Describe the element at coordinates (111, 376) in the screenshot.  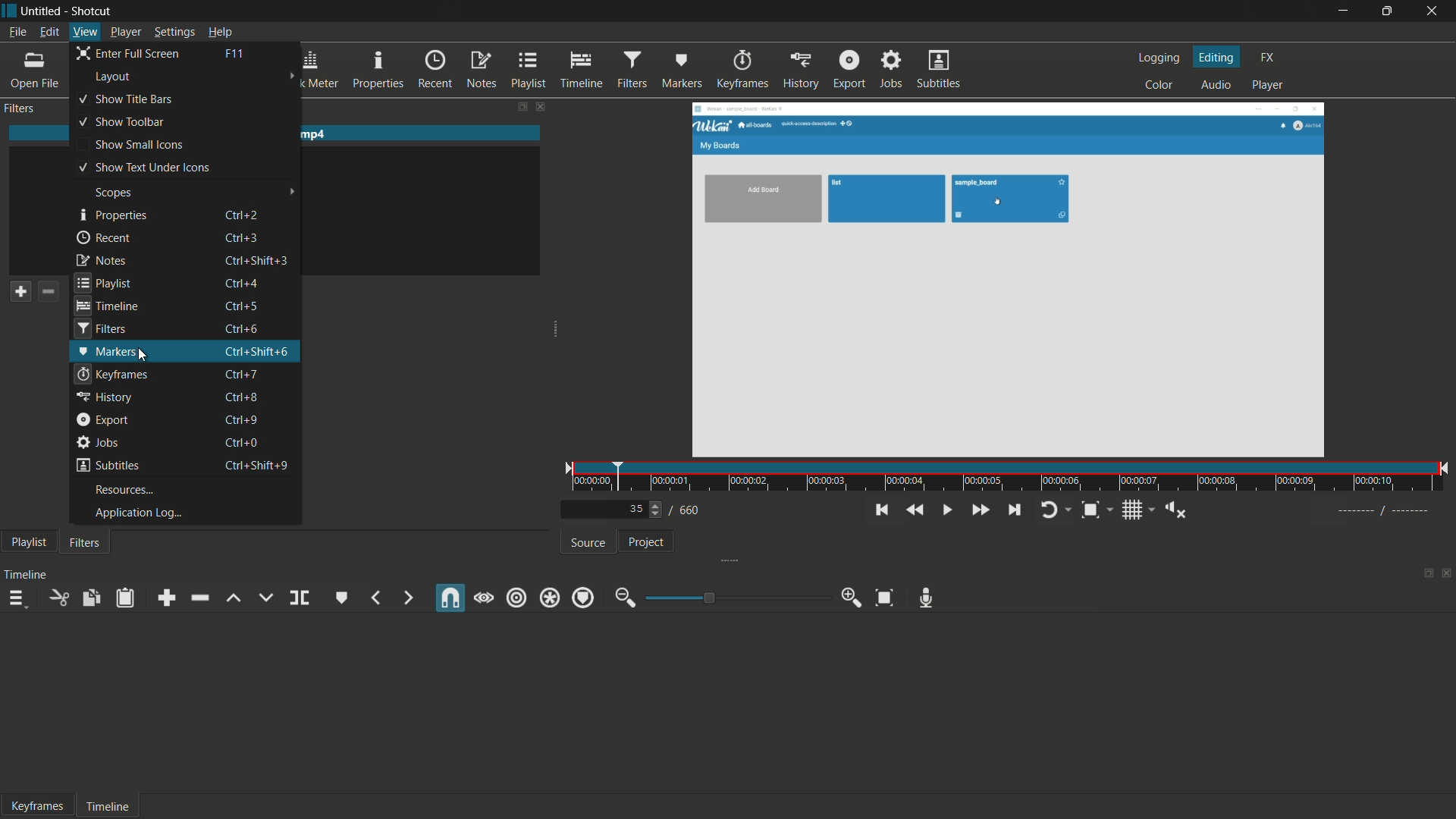
I see `keyframes` at that location.